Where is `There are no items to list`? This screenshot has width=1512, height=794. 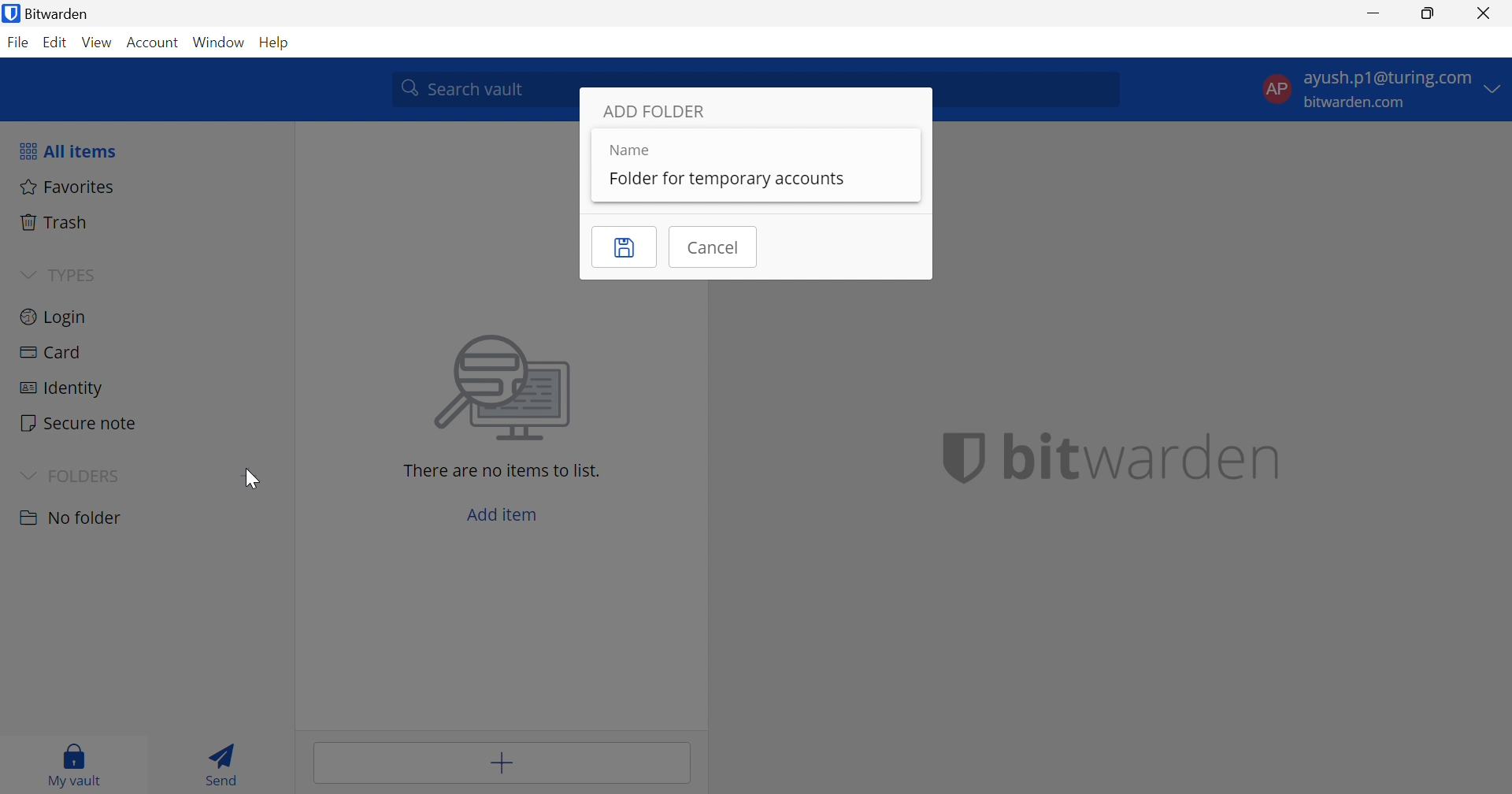 There are no items to list is located at coordinates (502, 471).